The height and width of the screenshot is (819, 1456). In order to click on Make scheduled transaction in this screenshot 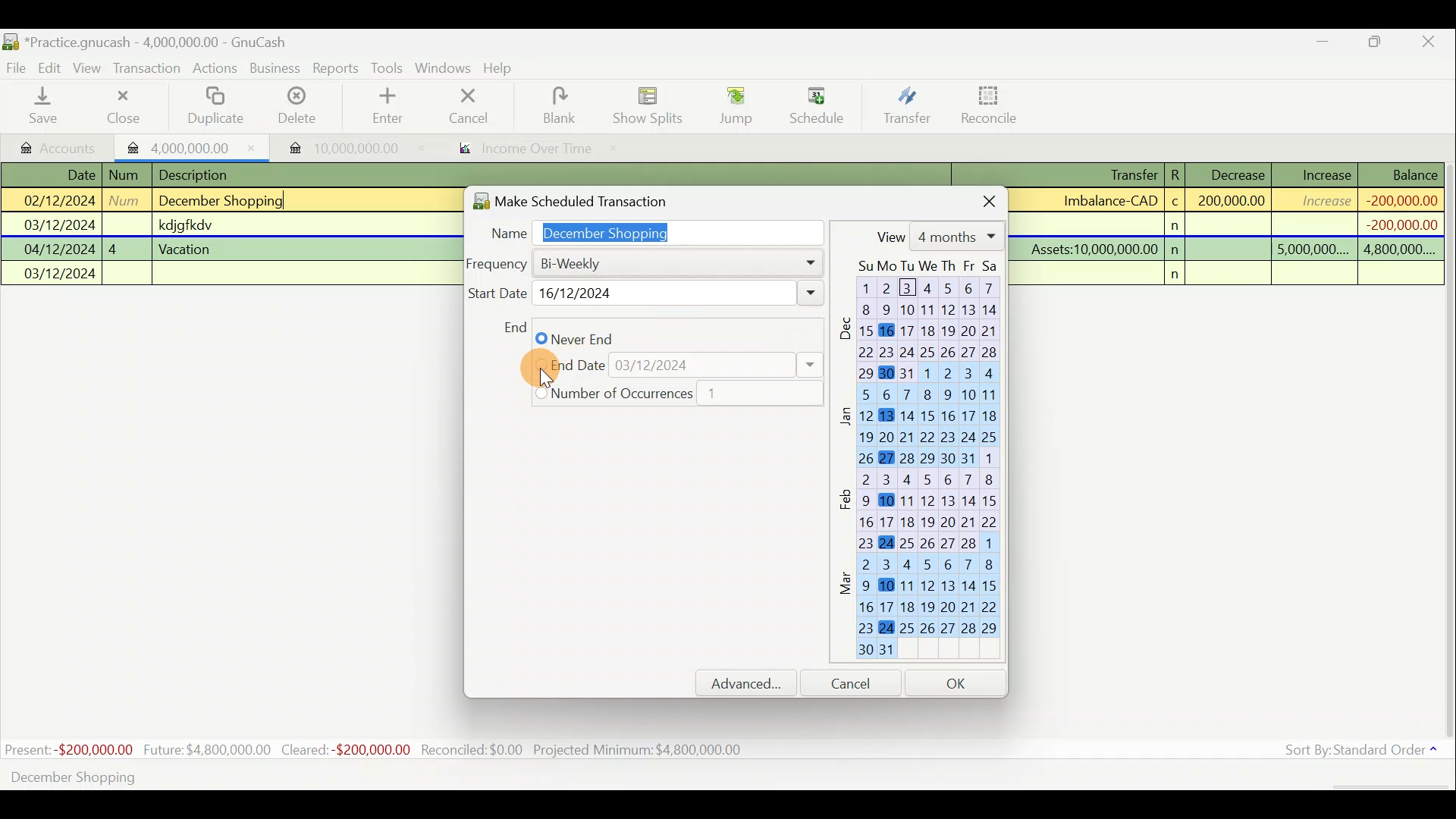, I will do `click(595, 198)`.